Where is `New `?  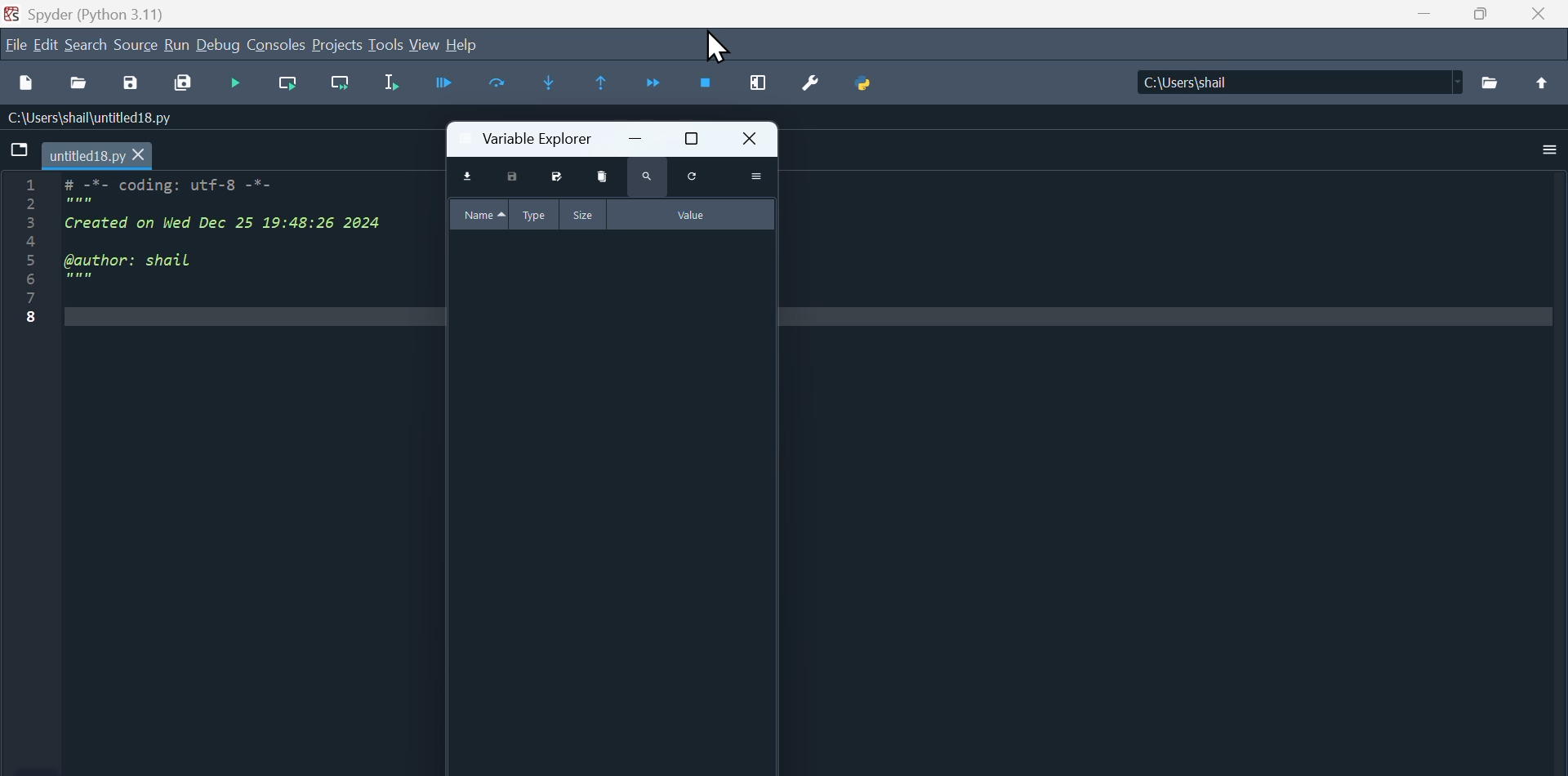 New  is located at coordinates (24, 83).